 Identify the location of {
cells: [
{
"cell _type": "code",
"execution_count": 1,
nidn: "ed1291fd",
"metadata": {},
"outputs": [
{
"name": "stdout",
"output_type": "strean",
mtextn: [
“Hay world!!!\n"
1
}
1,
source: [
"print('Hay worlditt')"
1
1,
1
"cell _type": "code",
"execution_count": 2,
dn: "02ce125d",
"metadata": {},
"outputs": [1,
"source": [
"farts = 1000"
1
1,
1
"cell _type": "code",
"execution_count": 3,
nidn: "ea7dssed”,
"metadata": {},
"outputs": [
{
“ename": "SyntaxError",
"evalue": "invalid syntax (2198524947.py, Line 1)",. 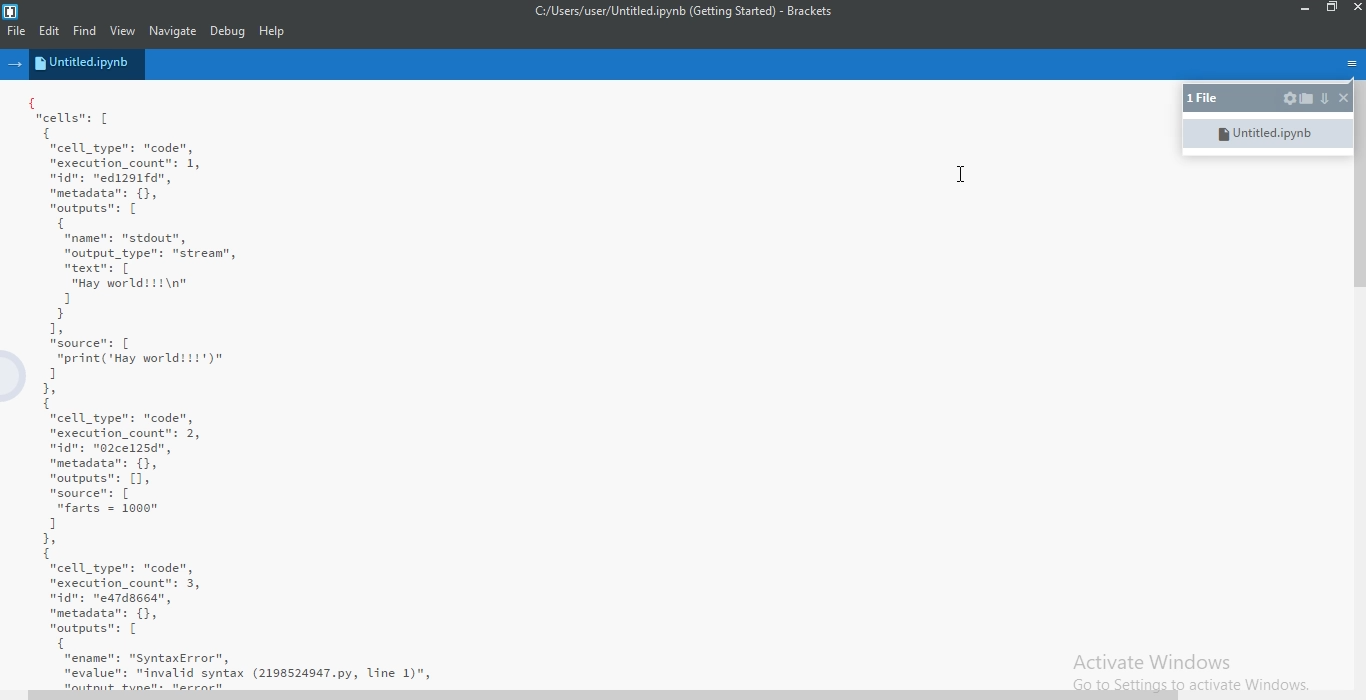
(583, 388).